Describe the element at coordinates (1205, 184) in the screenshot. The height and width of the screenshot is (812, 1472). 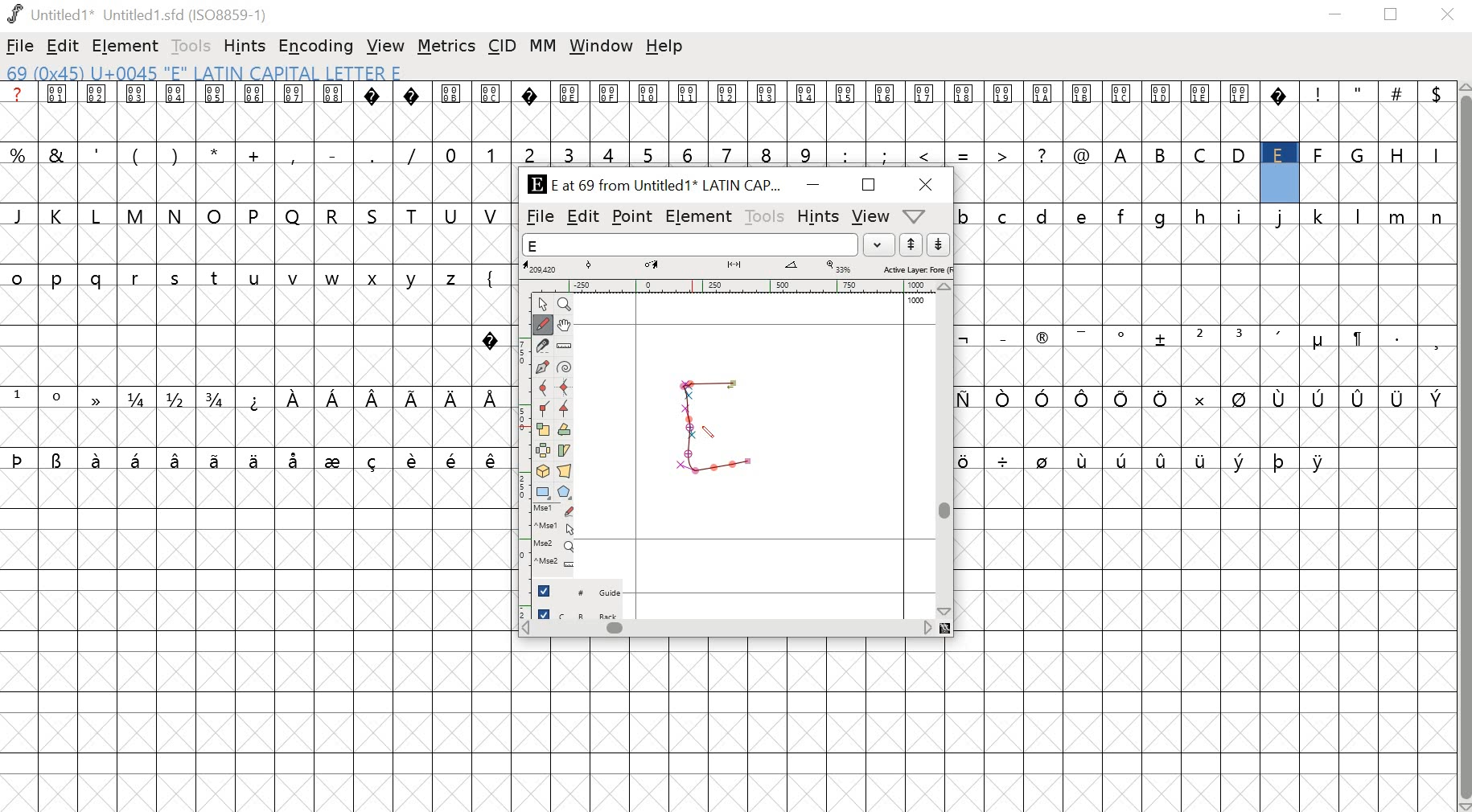
I see `empty cells` at that location.